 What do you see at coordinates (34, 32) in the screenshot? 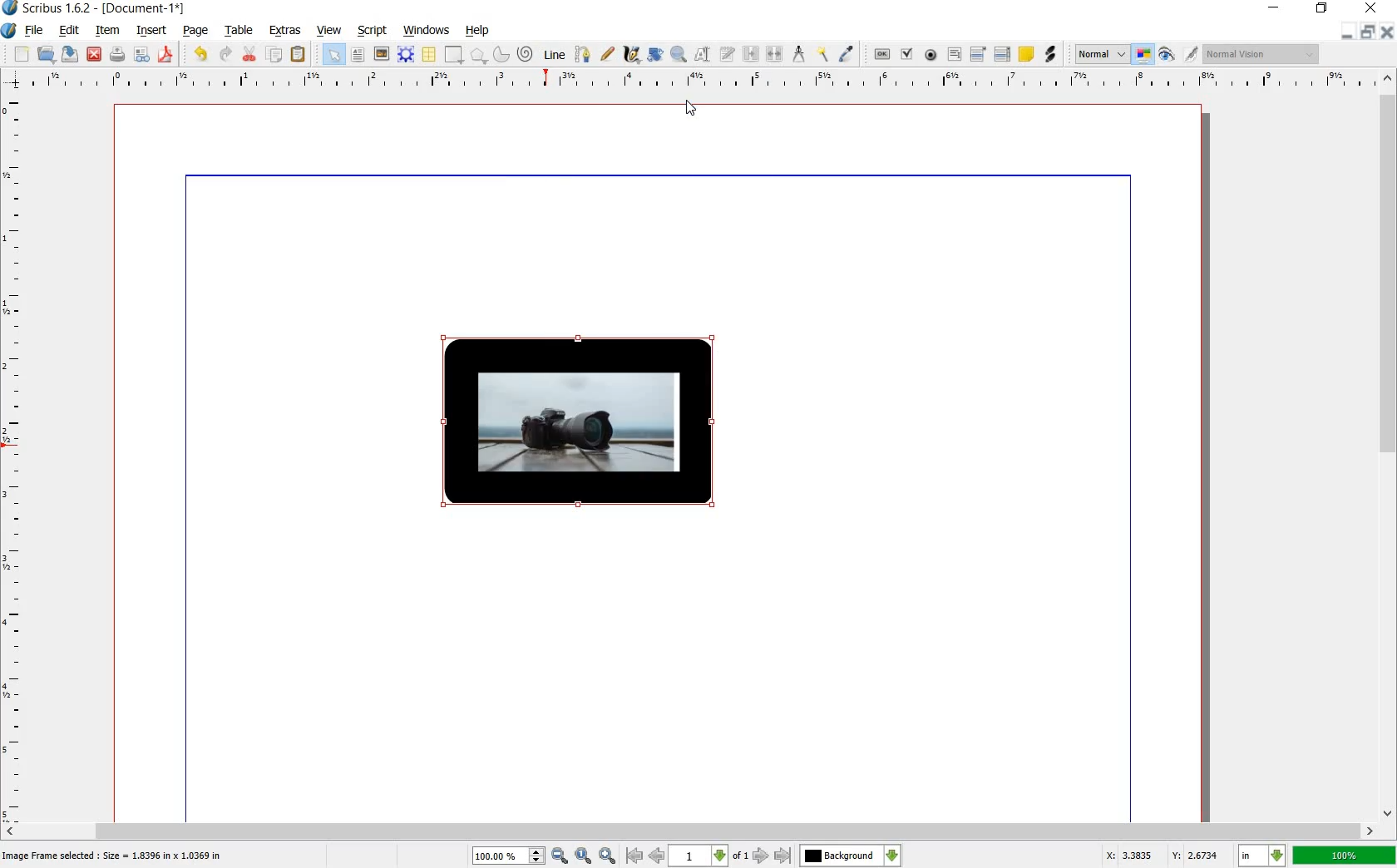
I see `file` at bounding box center [34, 32].